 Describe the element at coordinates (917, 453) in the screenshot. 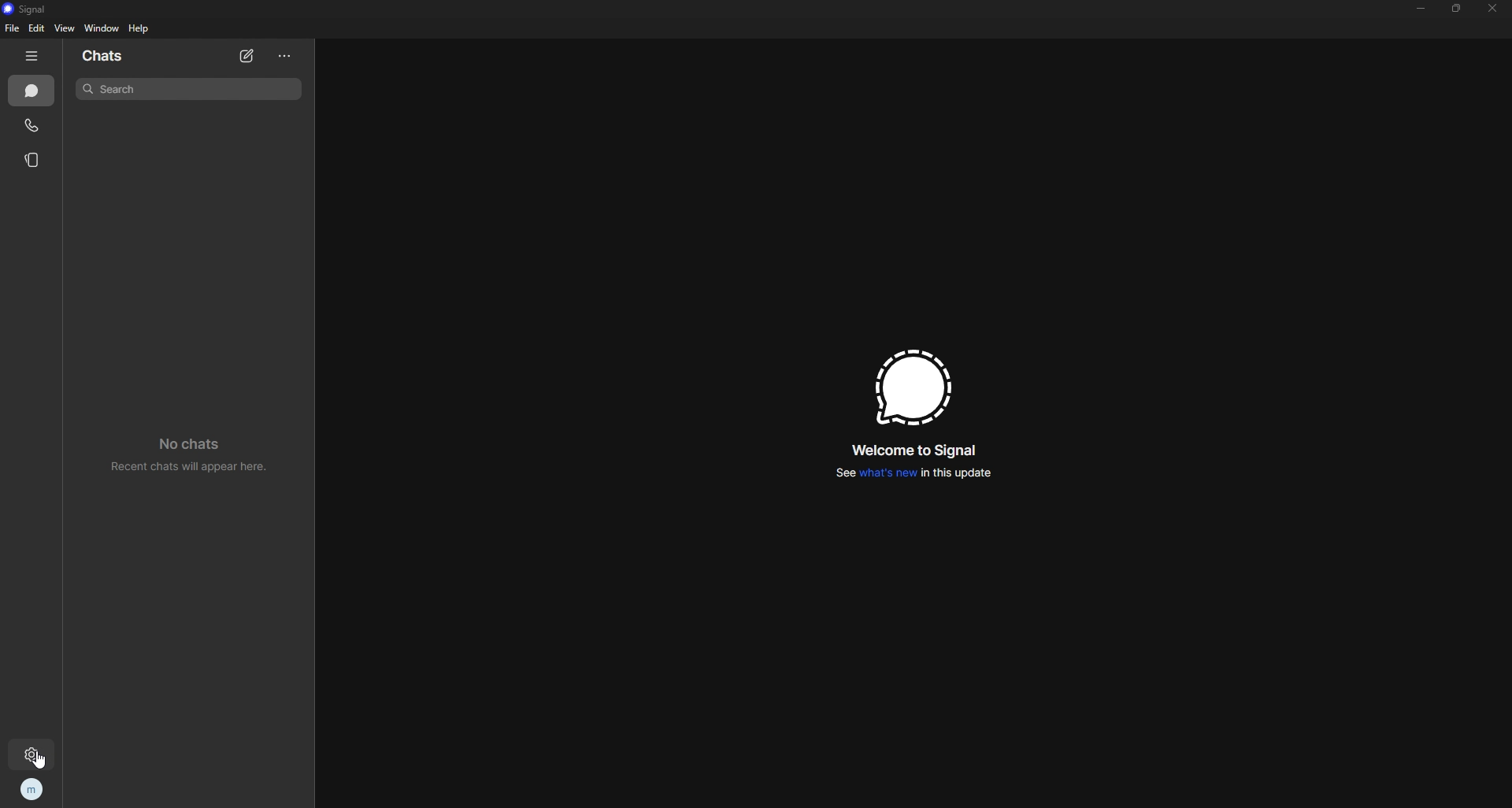

I see `welcome to signal` at that location.